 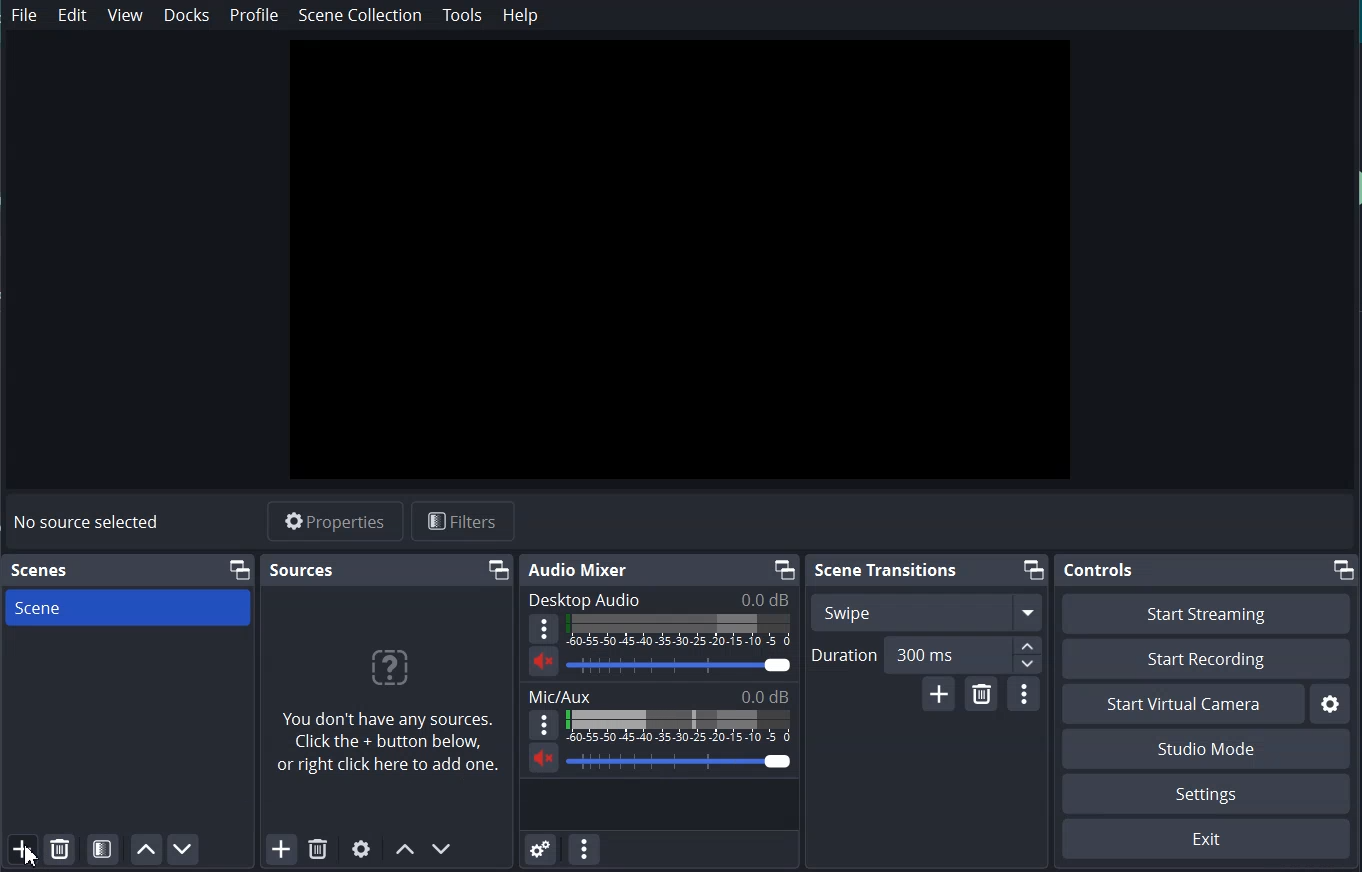 I want to click on You don't have any sources.
Click the + button below,
or right click here to add one., so click(x=390, y=748).